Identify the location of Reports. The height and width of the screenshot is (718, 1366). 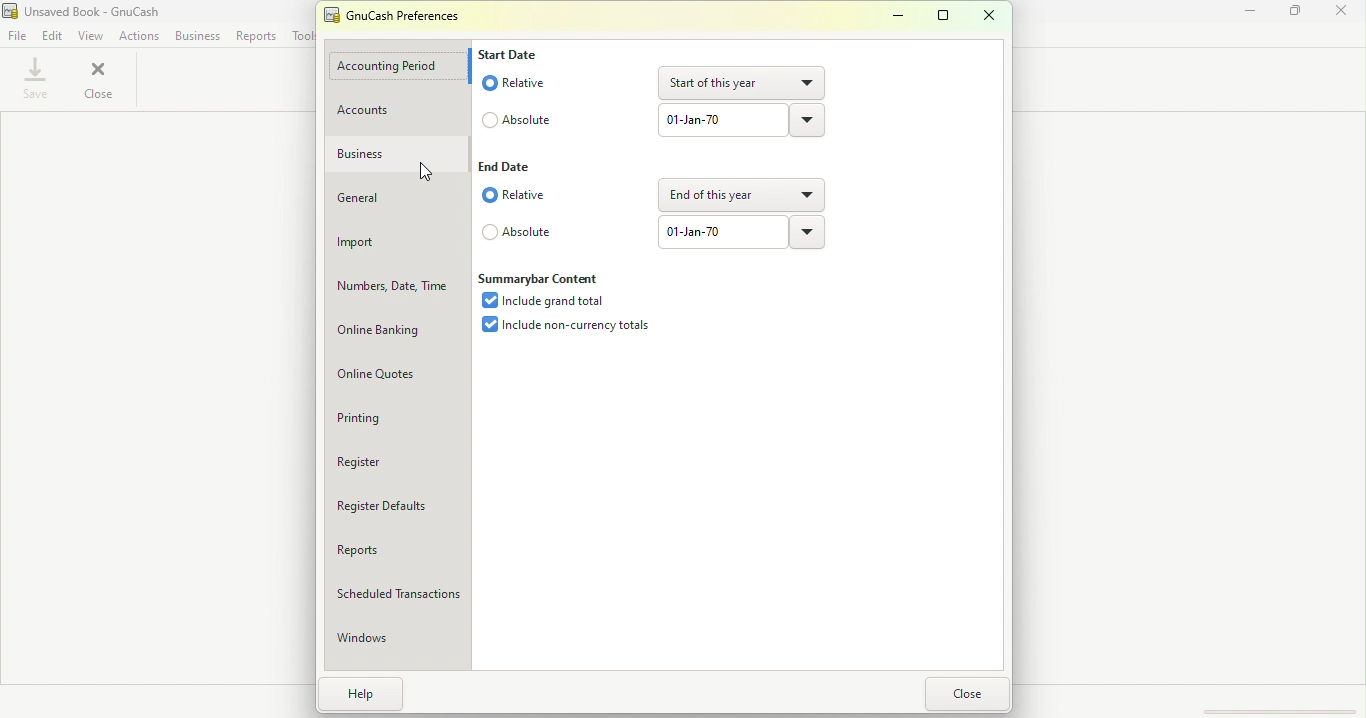
(399, 548).